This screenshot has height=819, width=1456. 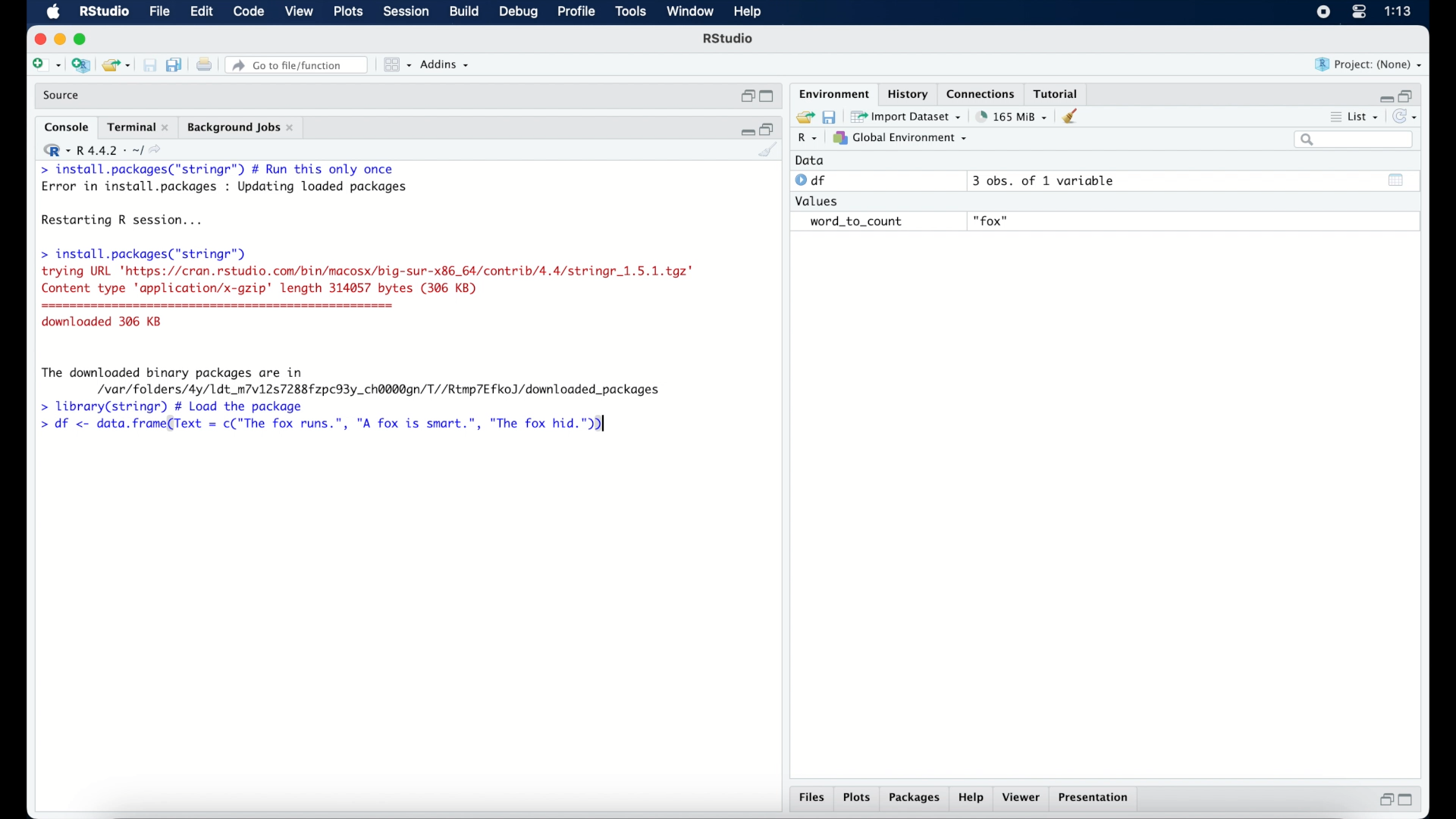 What do you see at coordinates (83, 39) in the screenshot?
I see `maximize` at bounding box center [83, 39].